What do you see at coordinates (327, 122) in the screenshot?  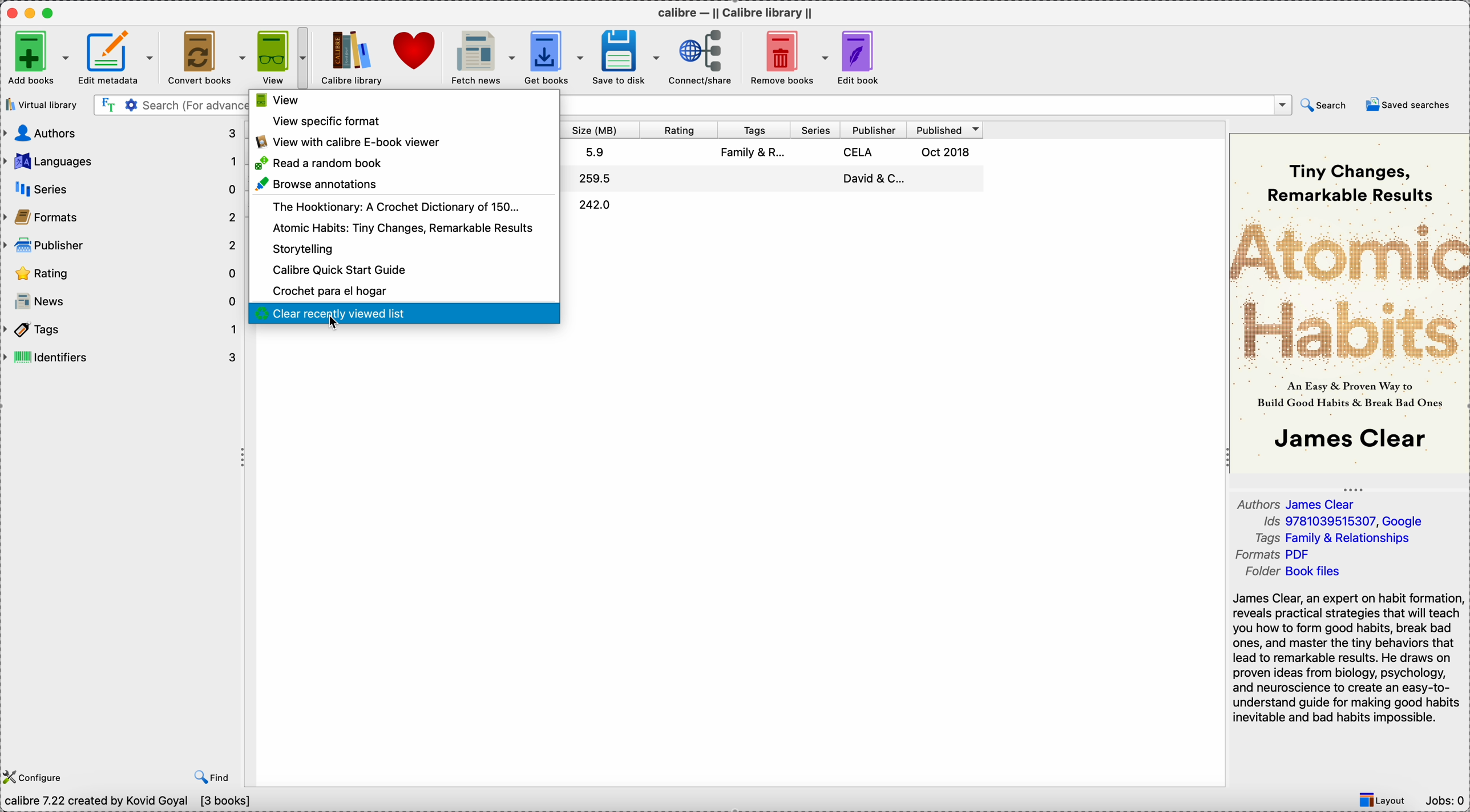 I see `view specific format` at bounding box center [327, 122].